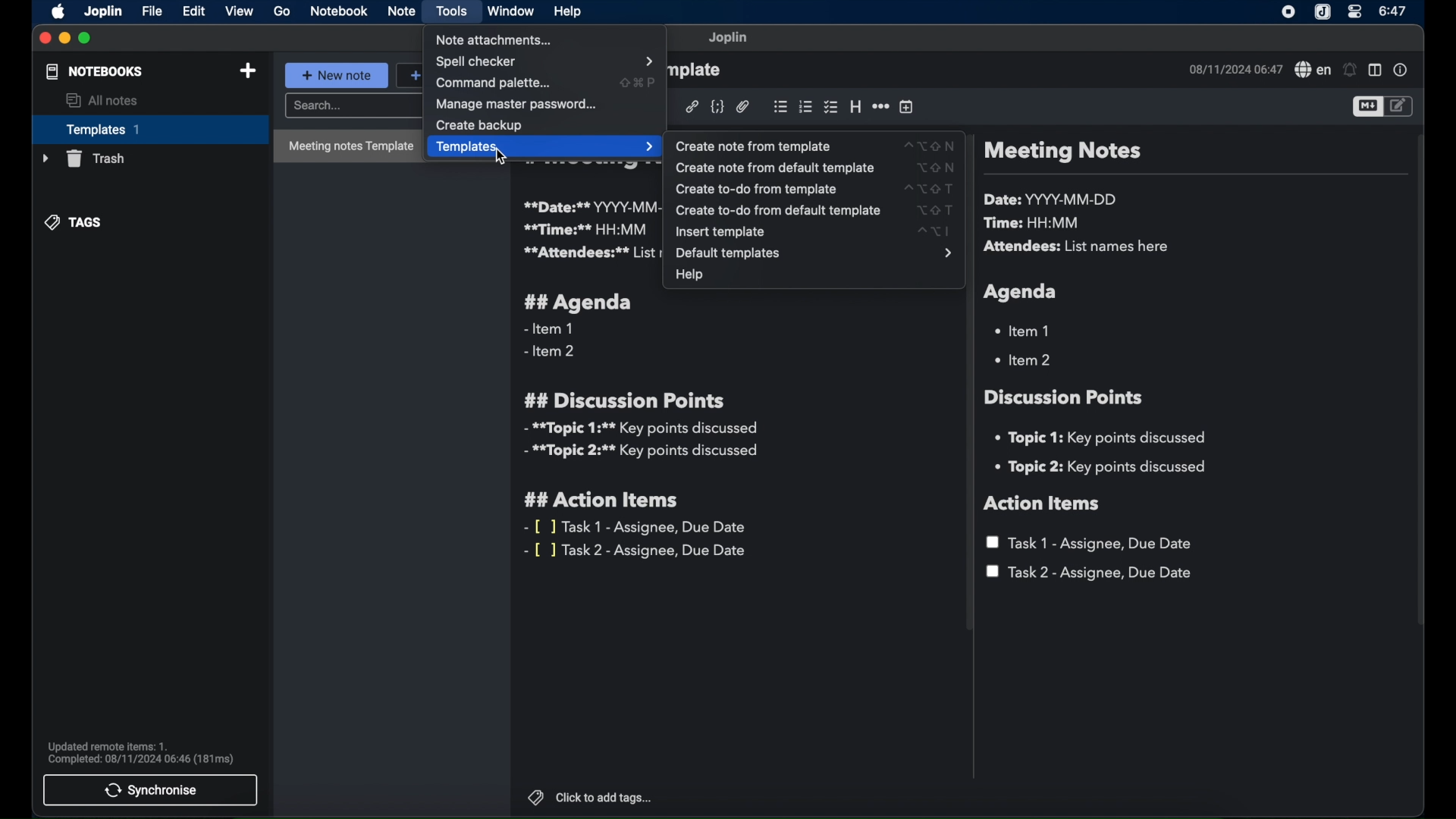 This screenshot has width=1456, height=819. Describe the element at coordinates (1102, 467) in the screenshot. I see `topic 2: key points discussed` at that location.